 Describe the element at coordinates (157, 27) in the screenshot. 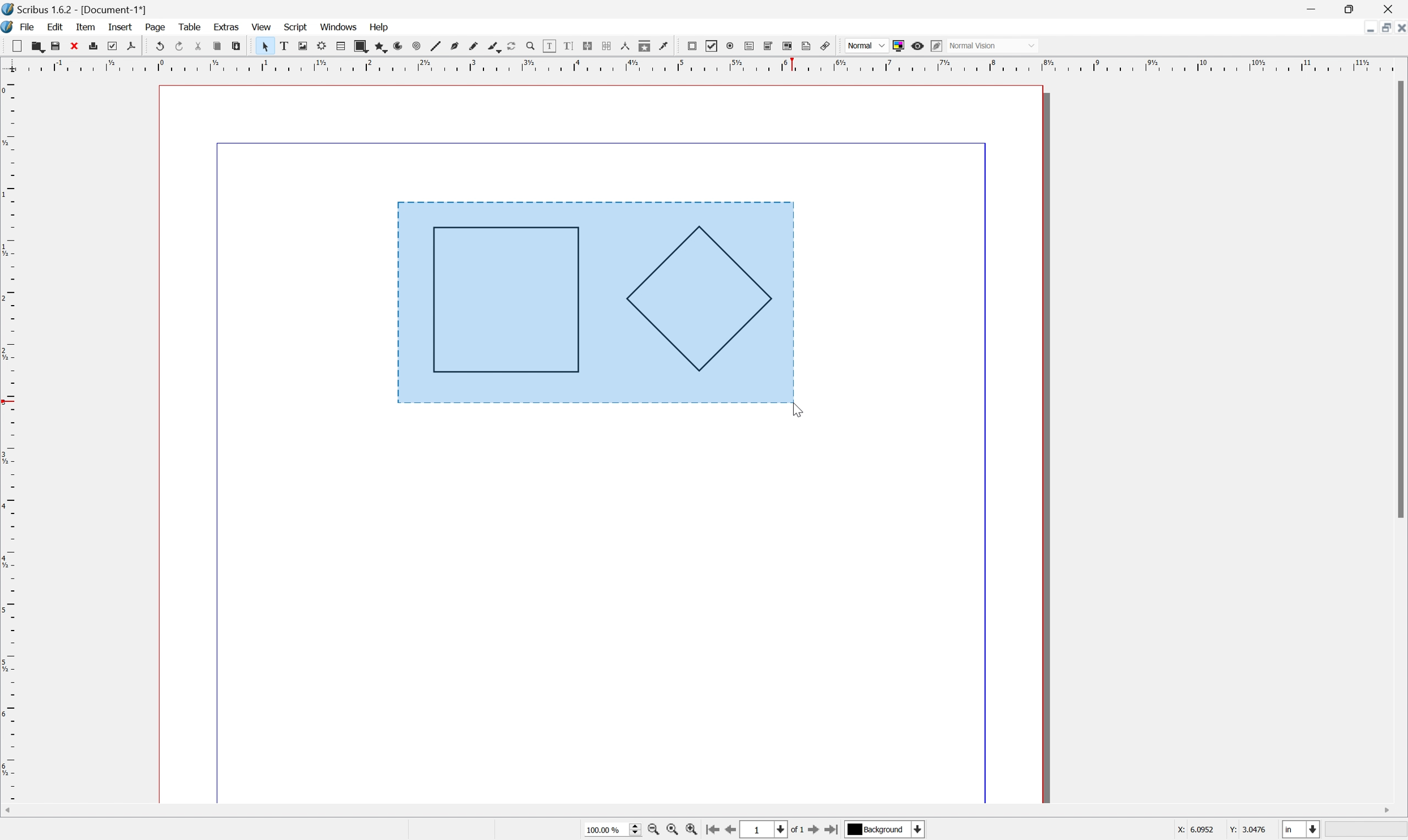

I see `page` at that location.